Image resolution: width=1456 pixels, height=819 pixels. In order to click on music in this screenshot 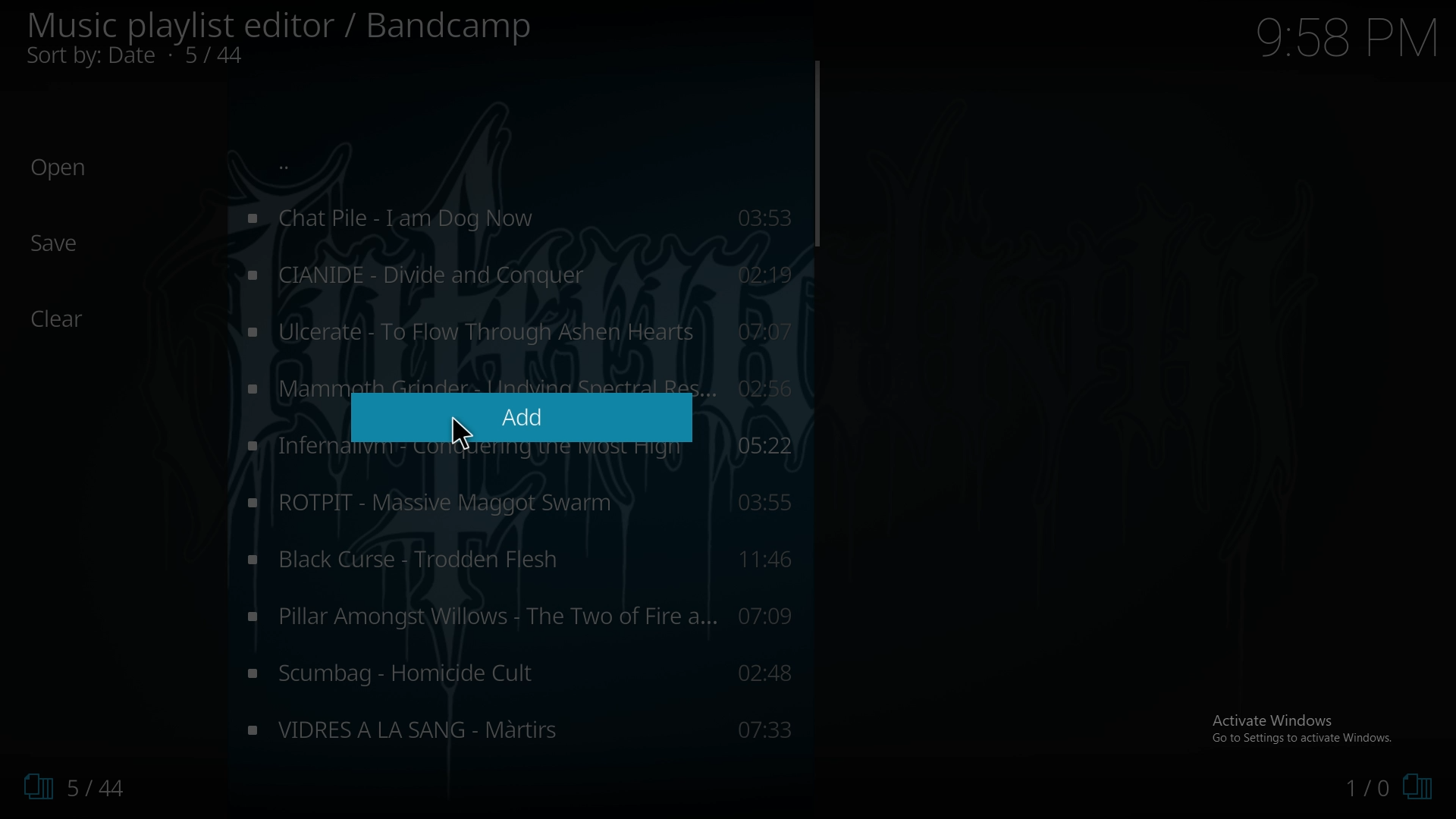, I will do `click(521, 331)`.